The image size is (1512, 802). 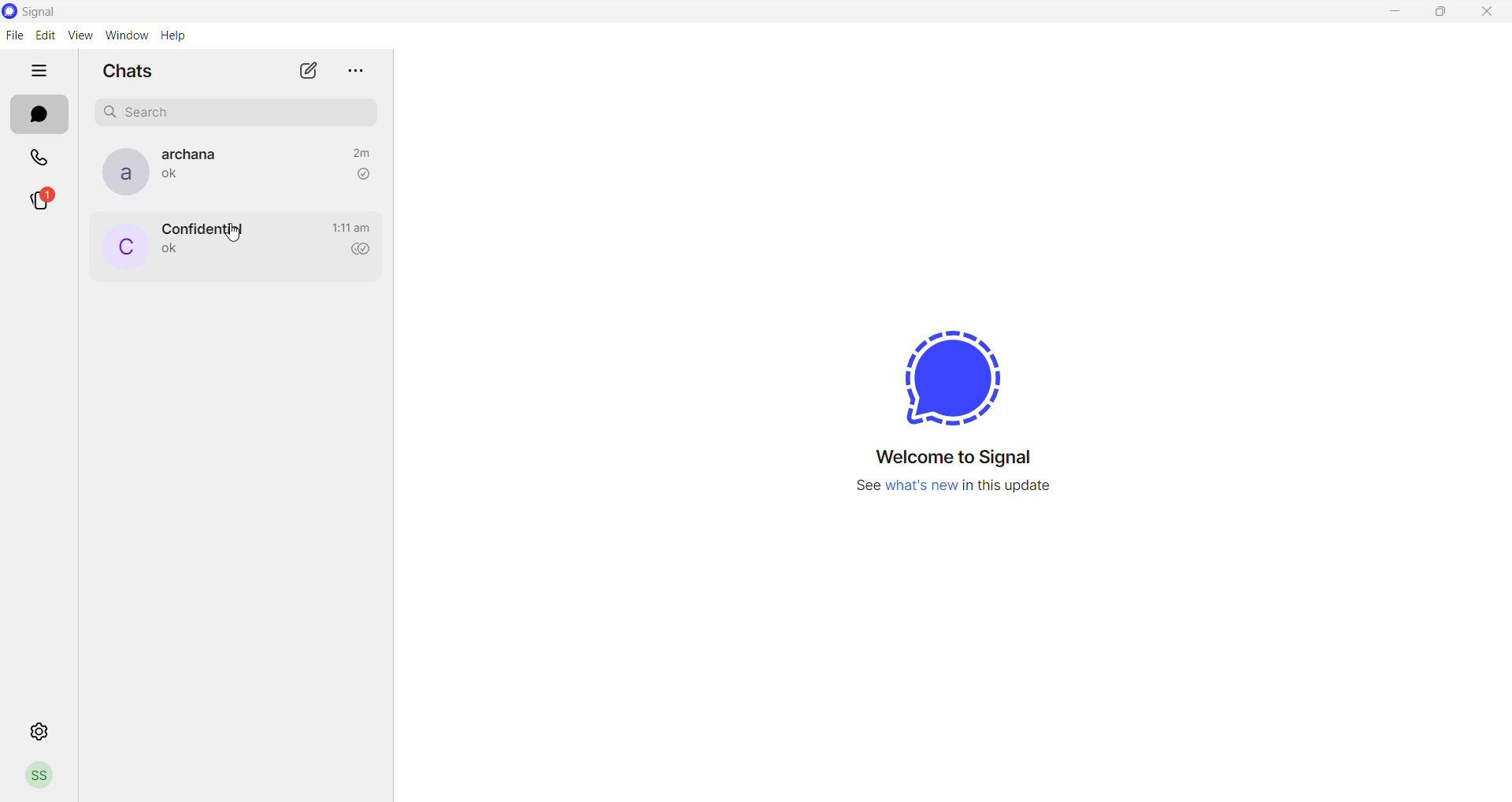 What do you see at coordinates (1487, 13) in the screenshot?
I see `close` at bounding box center [1487, 13].